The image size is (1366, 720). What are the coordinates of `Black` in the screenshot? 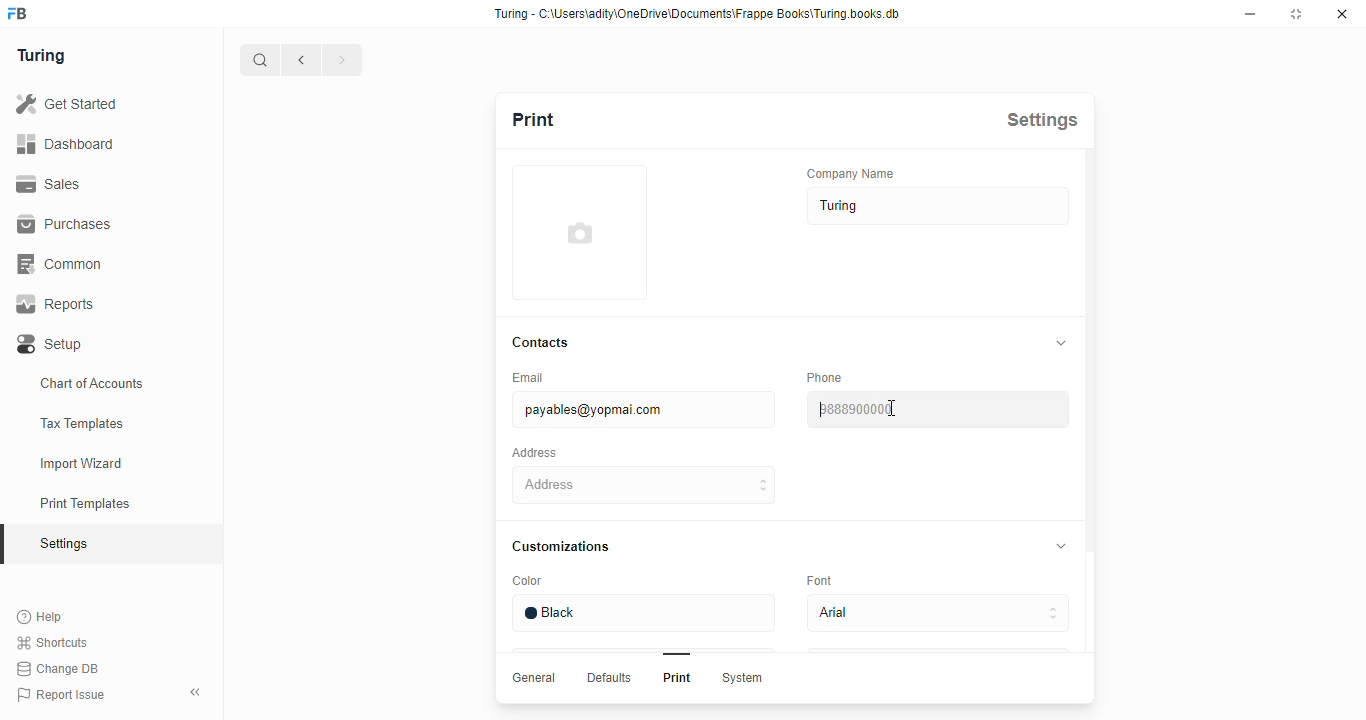 It's located at (638, 612).